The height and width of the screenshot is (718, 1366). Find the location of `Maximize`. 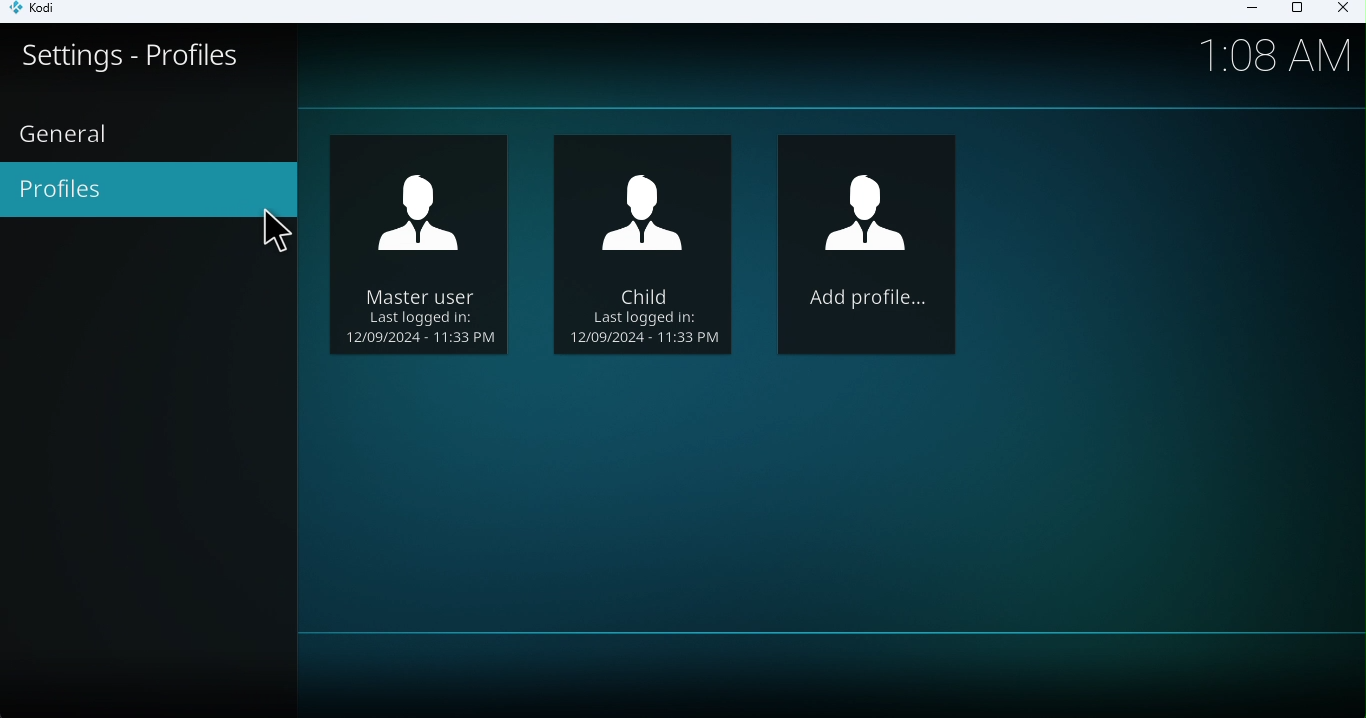

Maximize is located at coordinates (1296, 12).